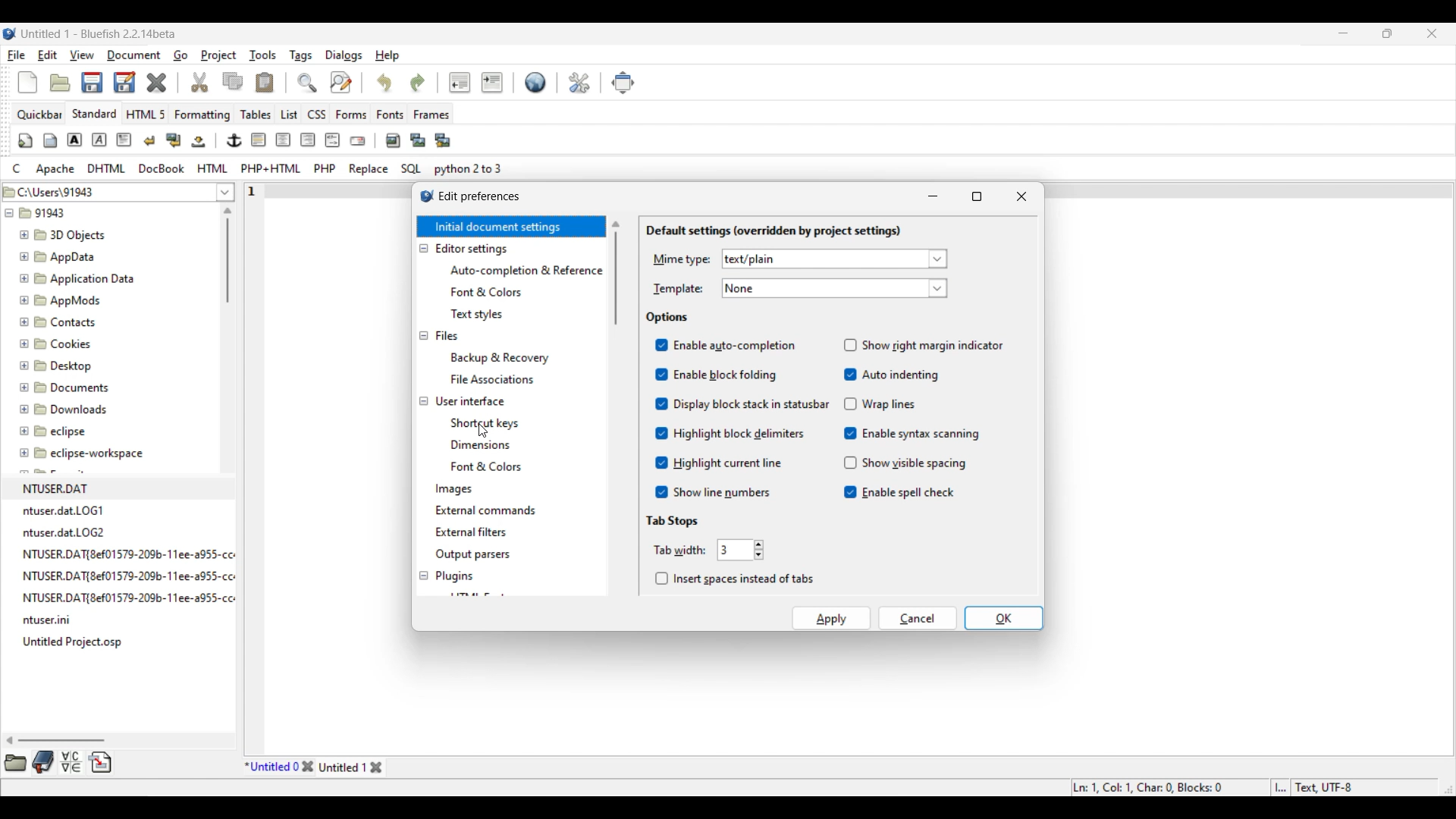 This screenshot has height=819, width=1456. Describe the element at coordinates (227, 255) in the screenshot. I see `Vertical slide bar` at that location.